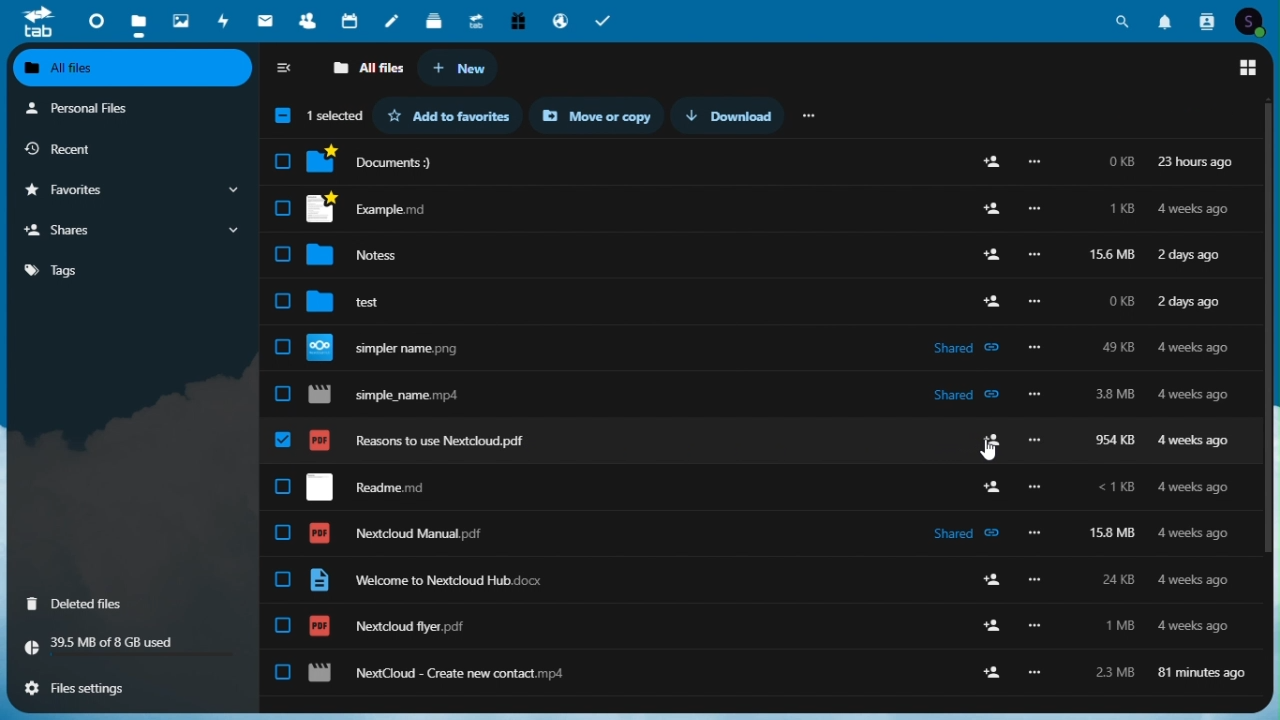 Image resolution: width=1280 pixels, height=720 pixels. I want to click on  add user, so click(985, 437).